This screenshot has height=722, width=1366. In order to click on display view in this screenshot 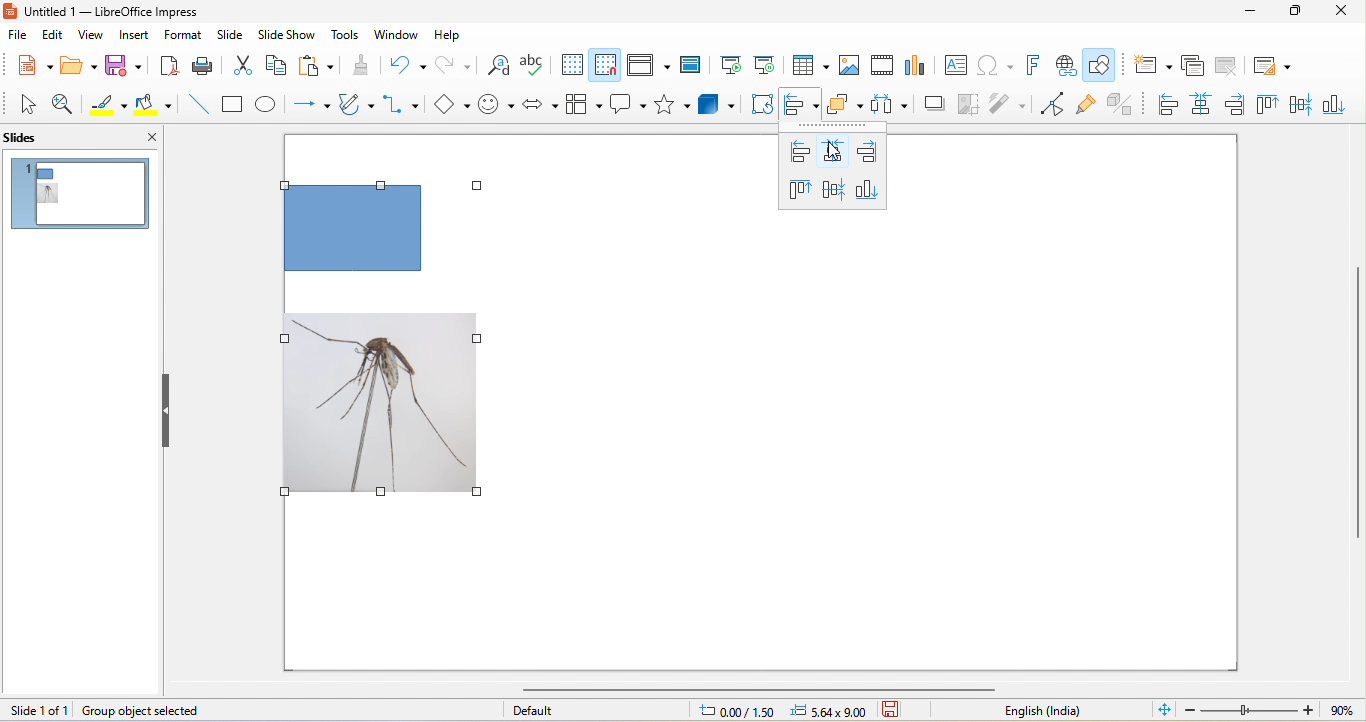, I will do `click(653, 66)`.